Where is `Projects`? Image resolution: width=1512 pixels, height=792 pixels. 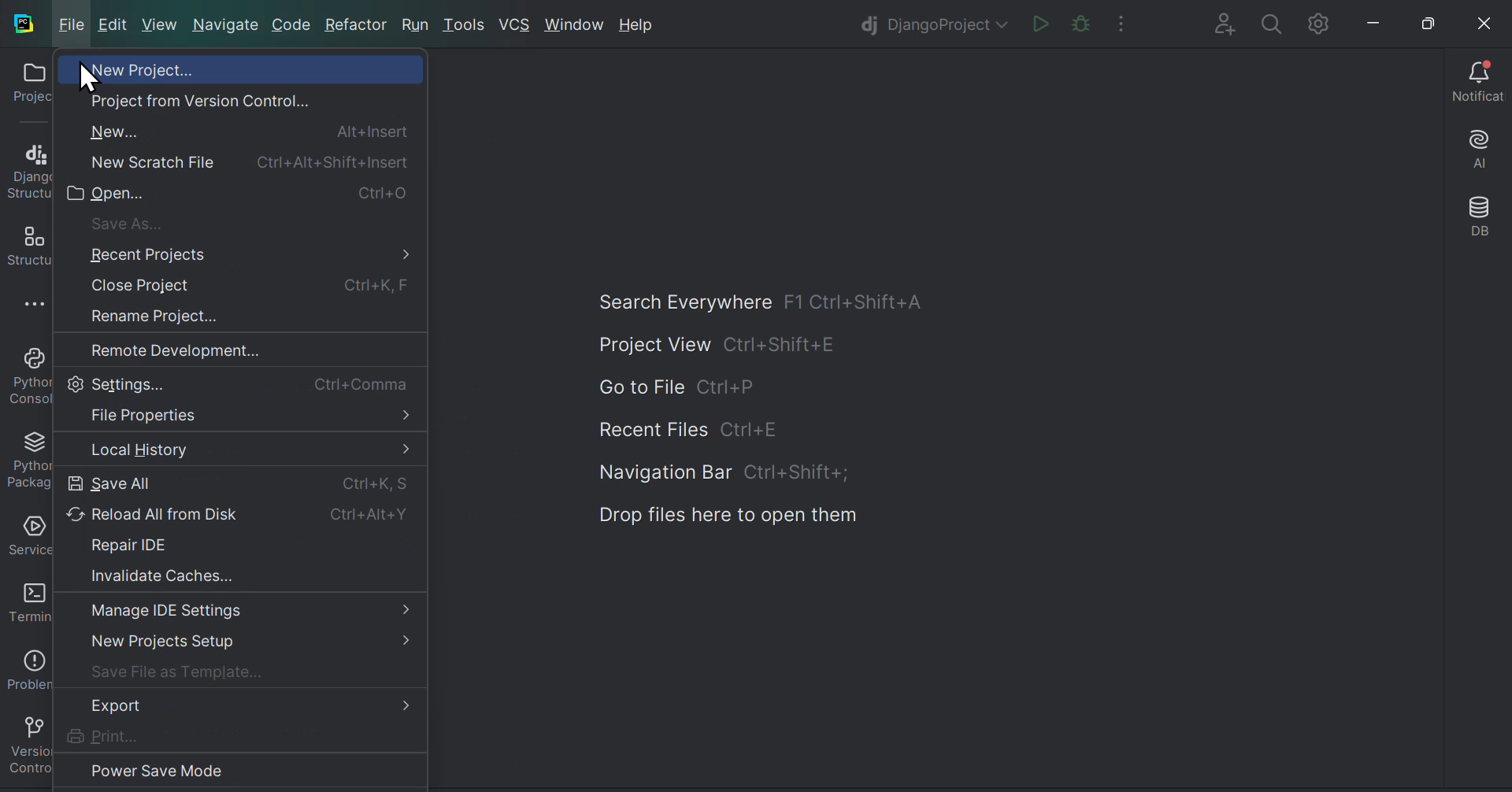 Projects is located at coordinates (29, 87).